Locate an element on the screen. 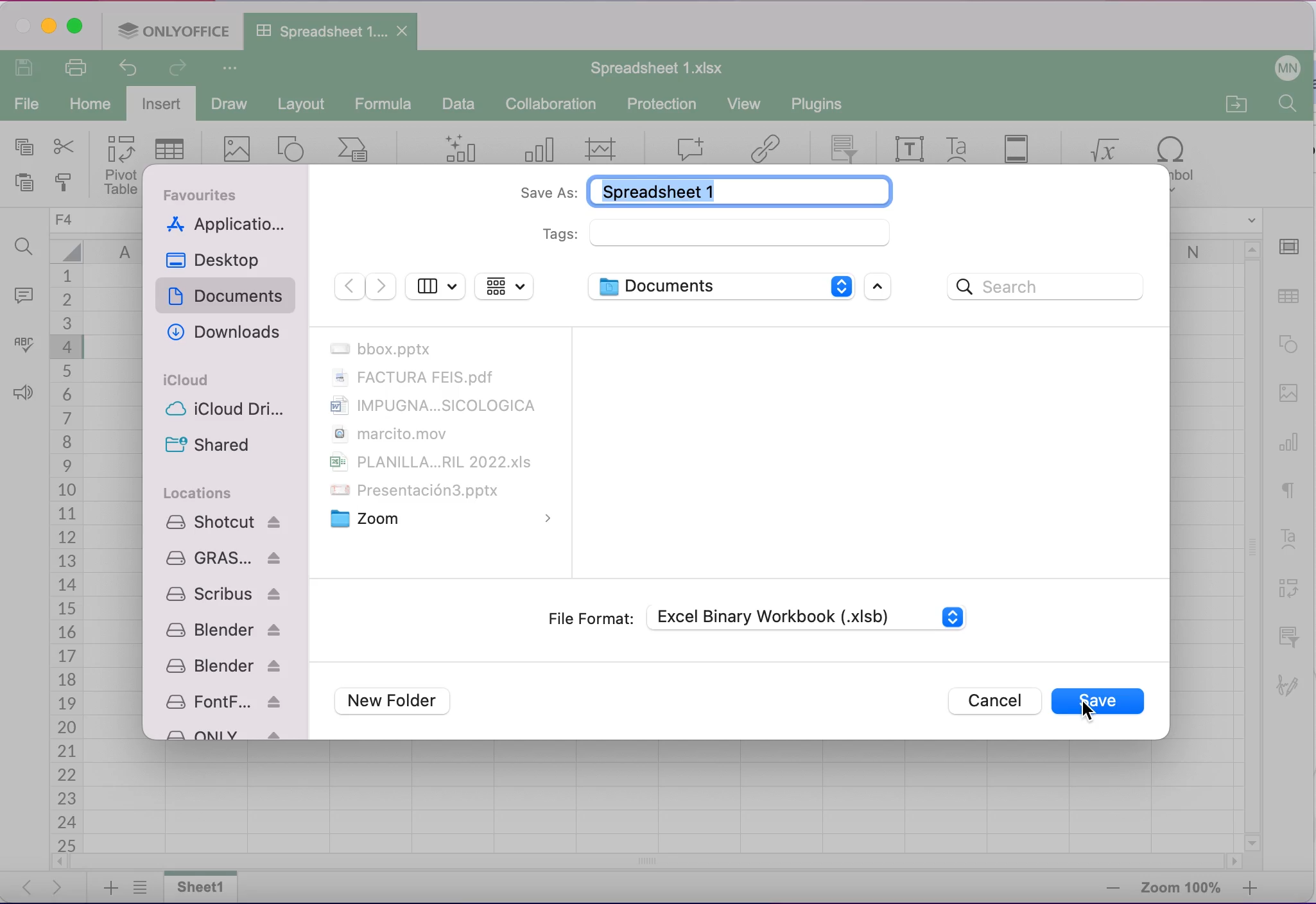 The height and width of the screenshot is (904, 1316). favourites is located at coordinates (207, 195).